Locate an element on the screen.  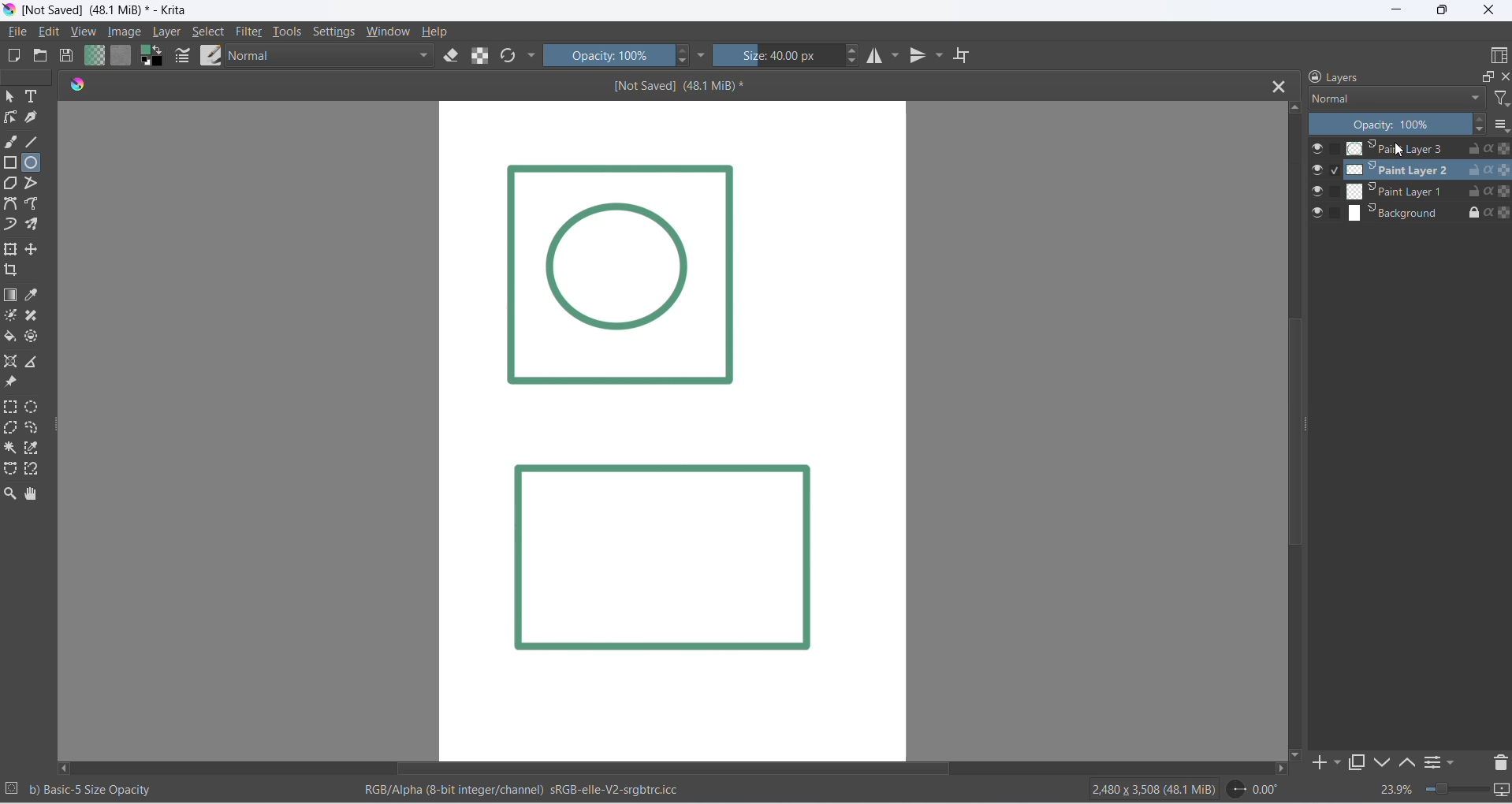
b) Basic - 5 Size Opacity is located at coordinates (99, 791).